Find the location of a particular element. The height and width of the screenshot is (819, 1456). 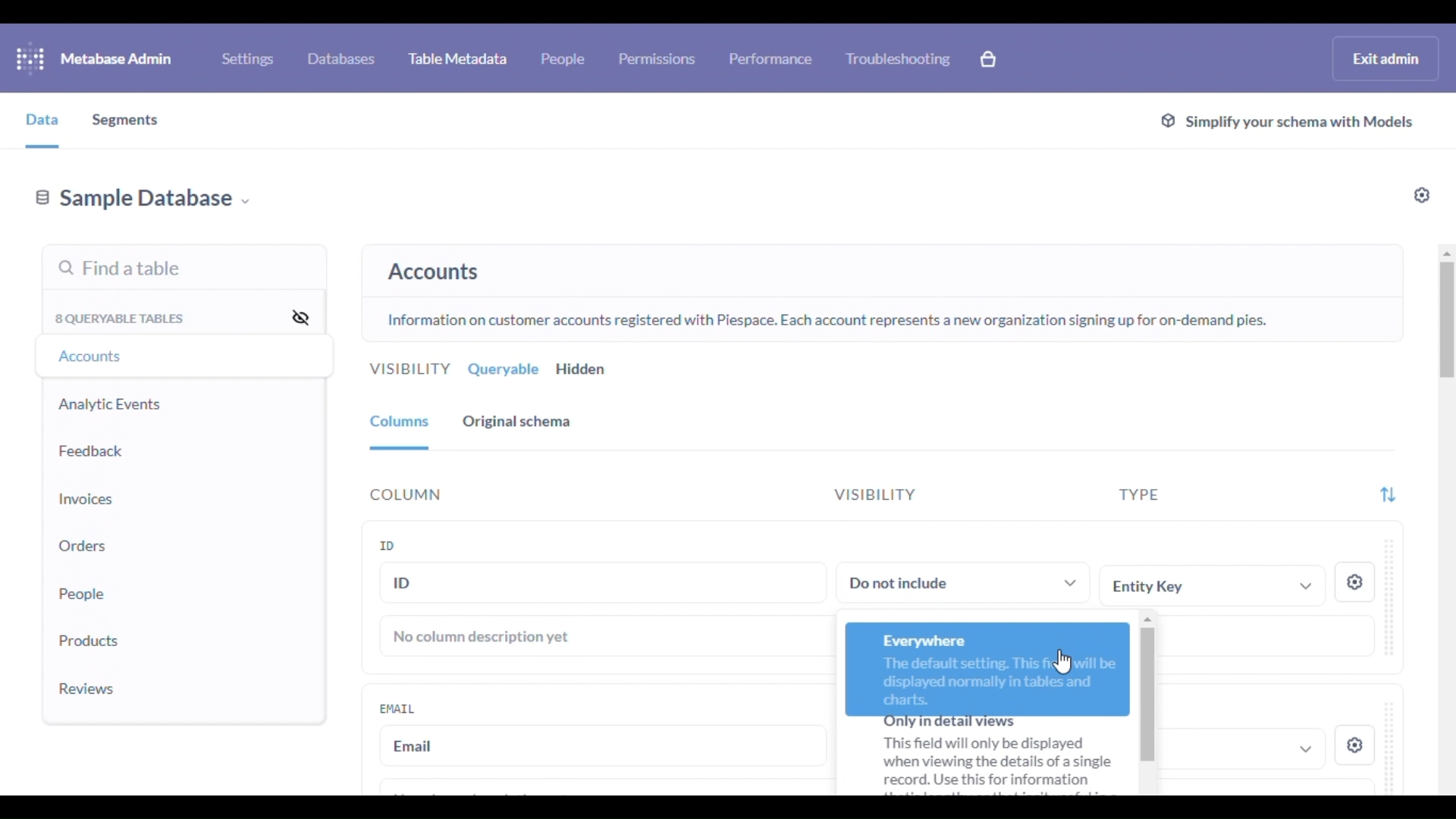

settings is located at coordinates (1423, 195).